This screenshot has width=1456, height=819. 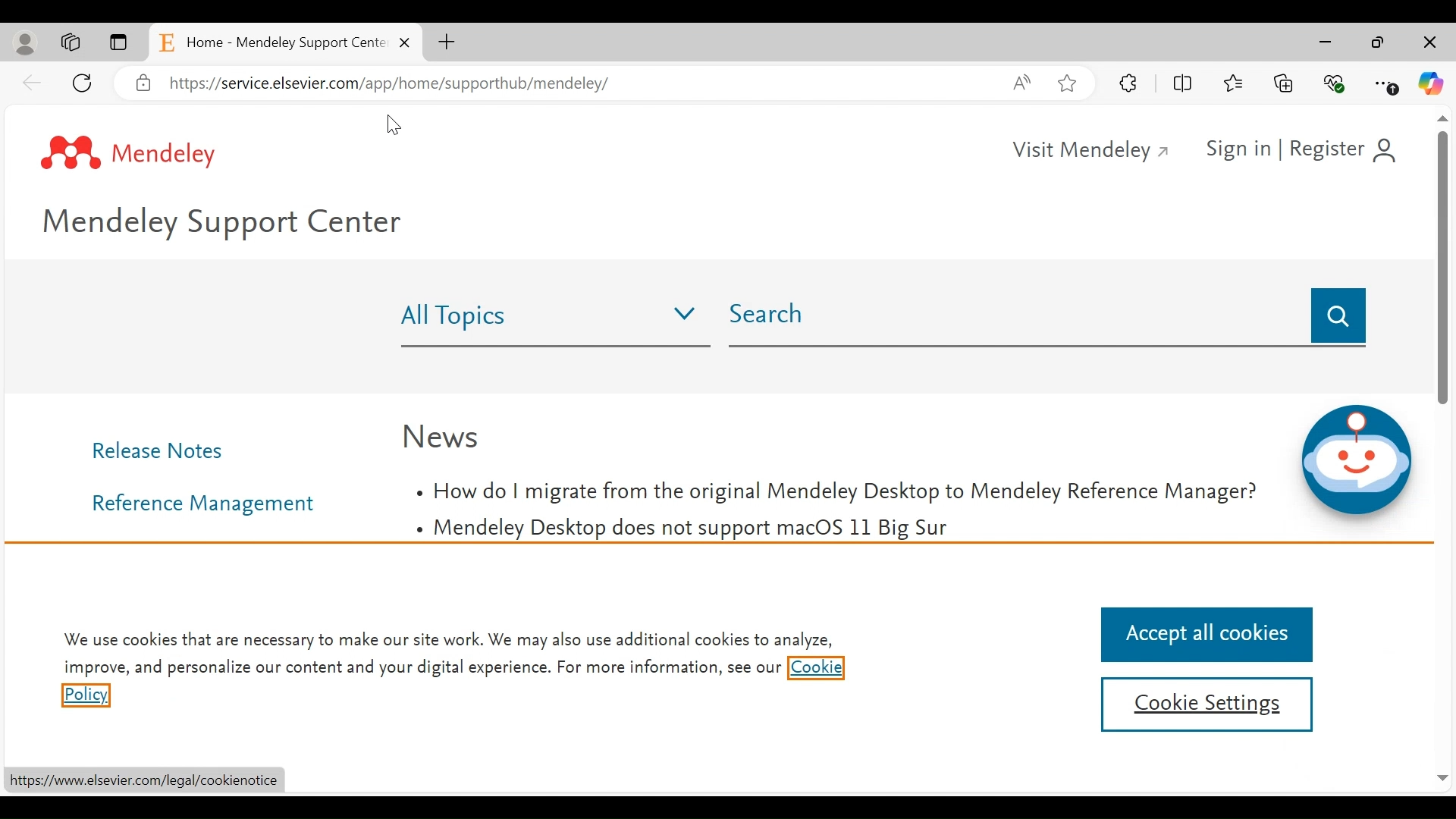 What do you see at coordinates (84, 83) in the screenshot?
I see `Reload` at bounding box center [84, 83].